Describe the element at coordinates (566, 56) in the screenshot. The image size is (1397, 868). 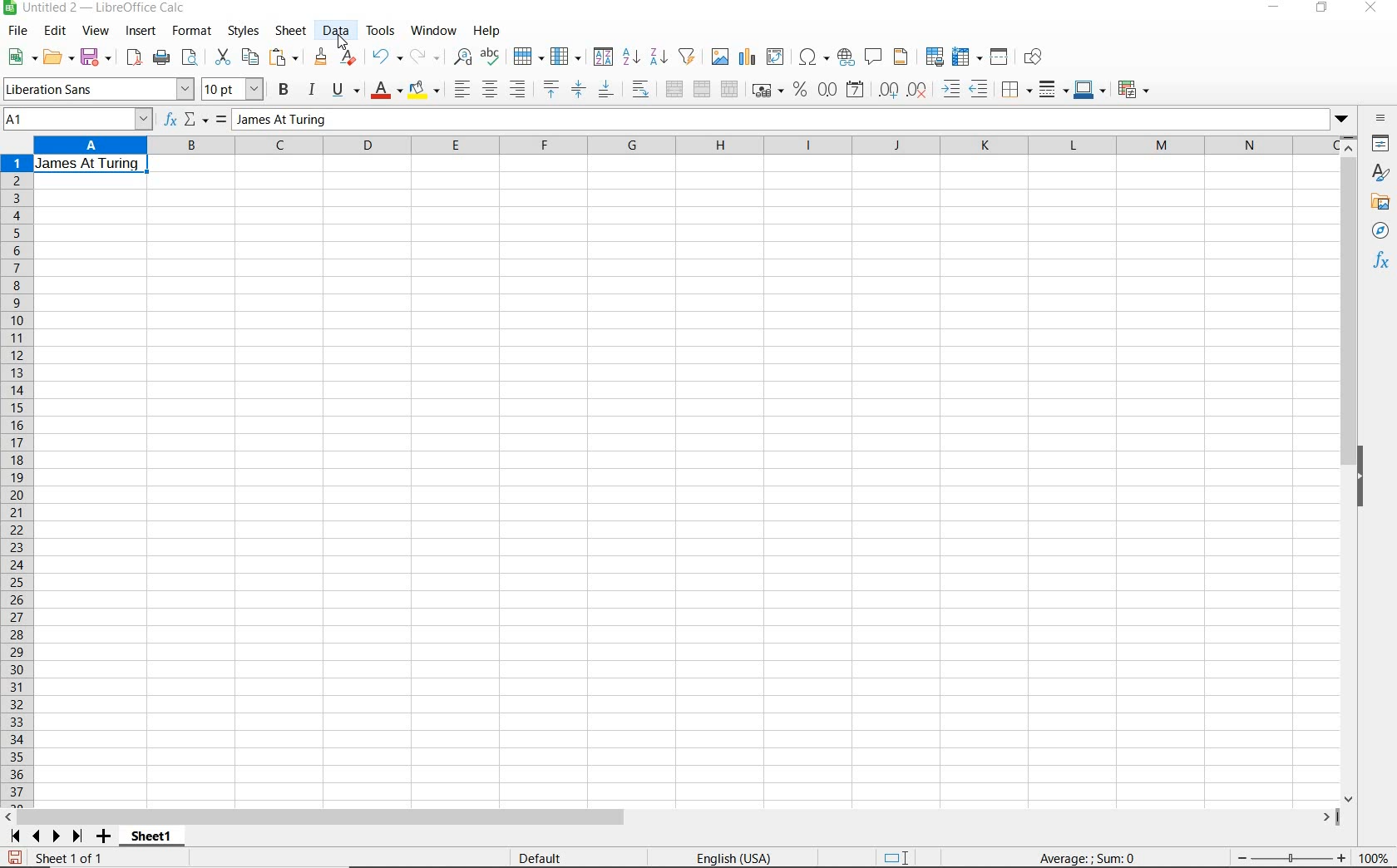
I see `column` at that location.